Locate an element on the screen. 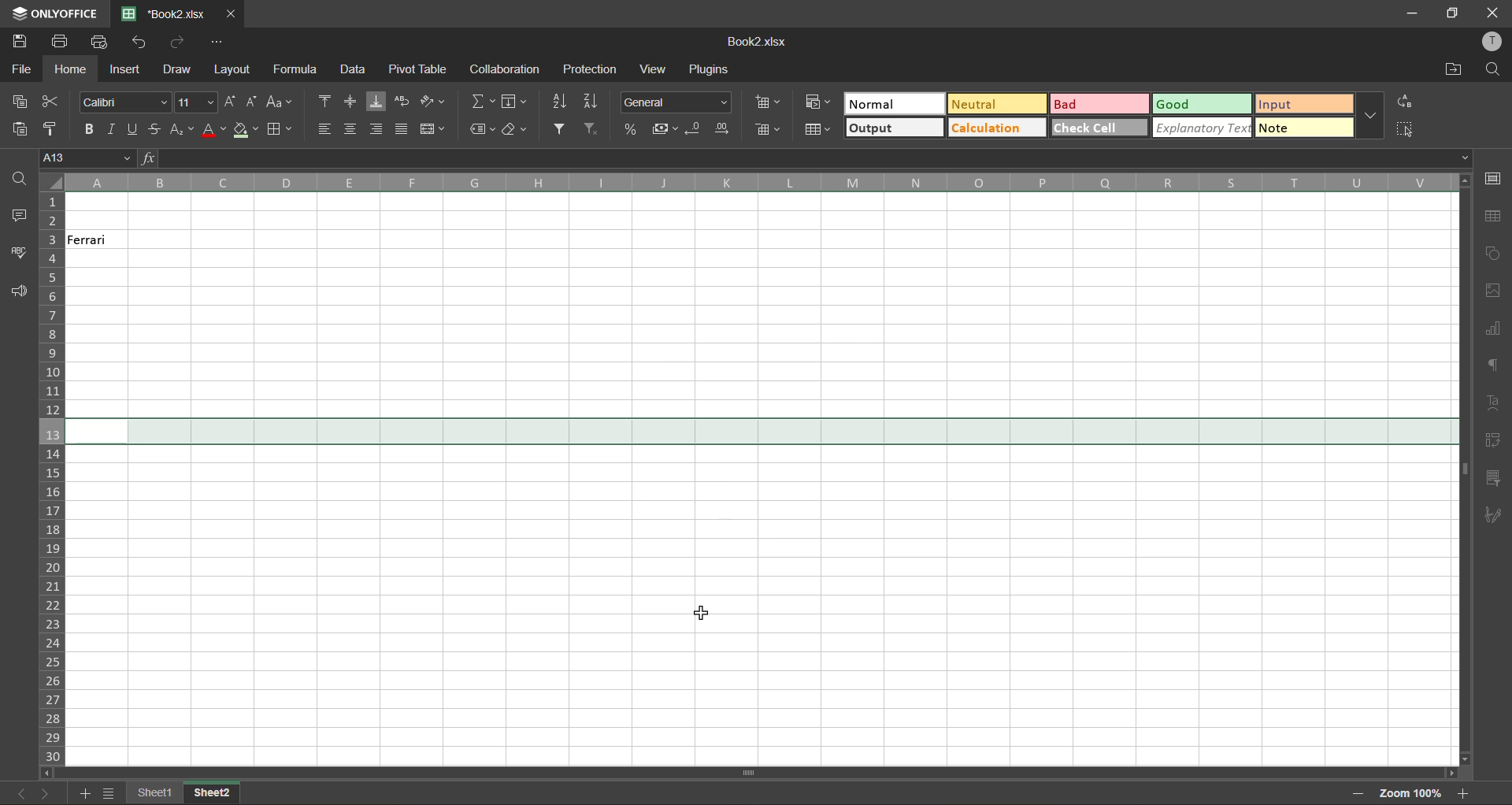  app name is located at coordinates (55, 13).